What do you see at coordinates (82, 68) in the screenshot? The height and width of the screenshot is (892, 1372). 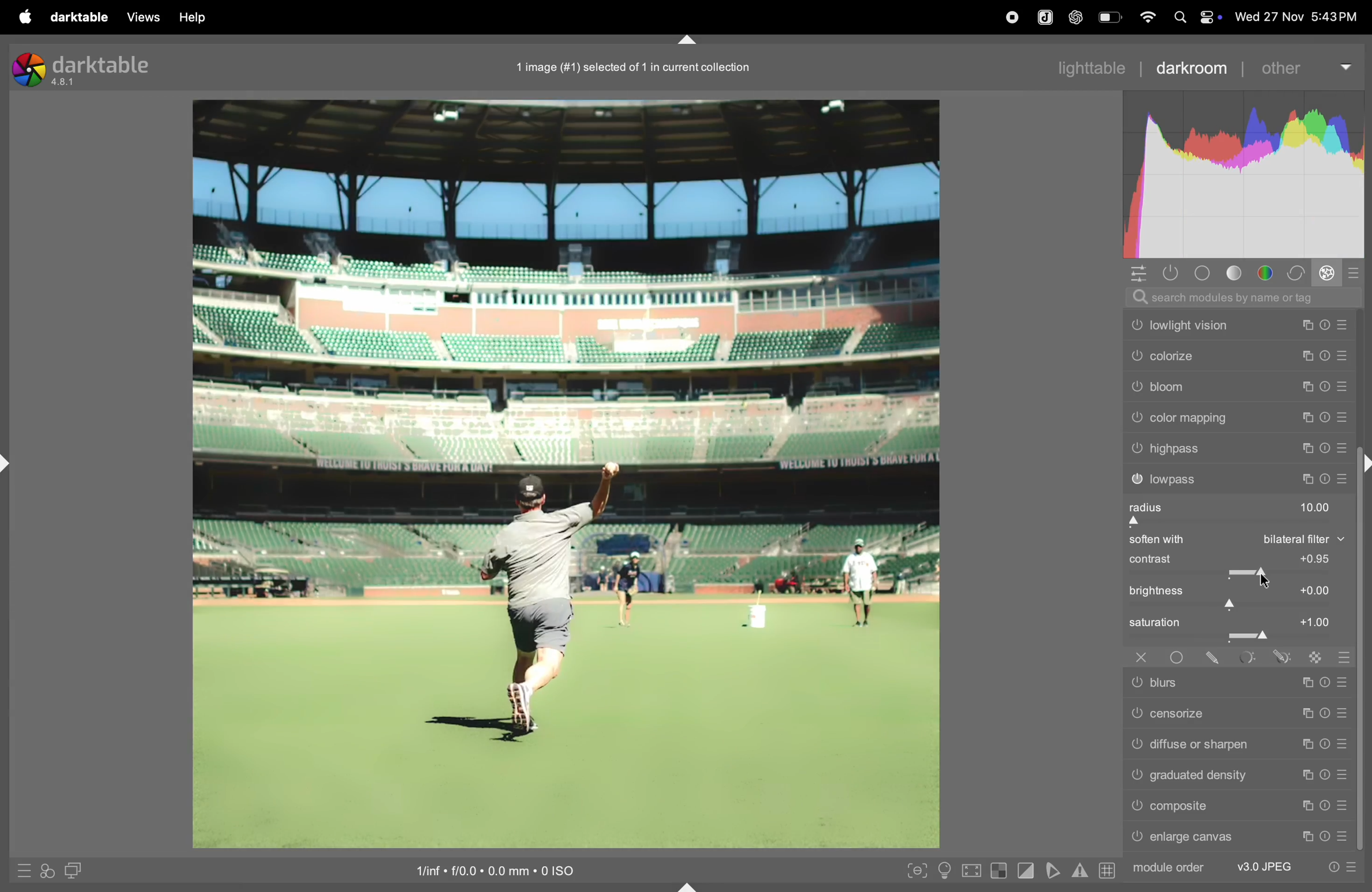 I see `dark table version` at bounding box center [82, 68].